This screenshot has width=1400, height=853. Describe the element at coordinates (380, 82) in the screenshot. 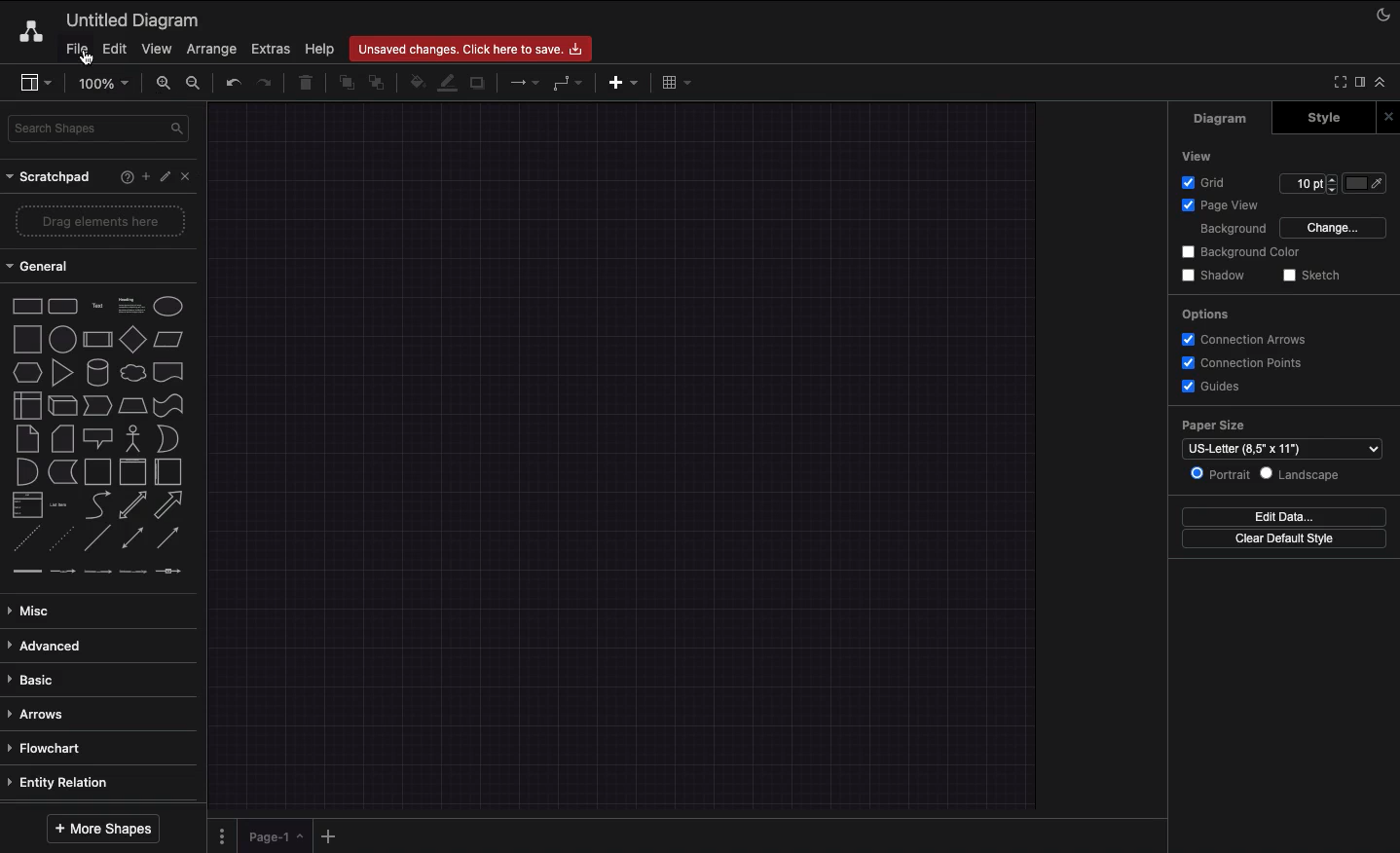

I see `To back` at that location.